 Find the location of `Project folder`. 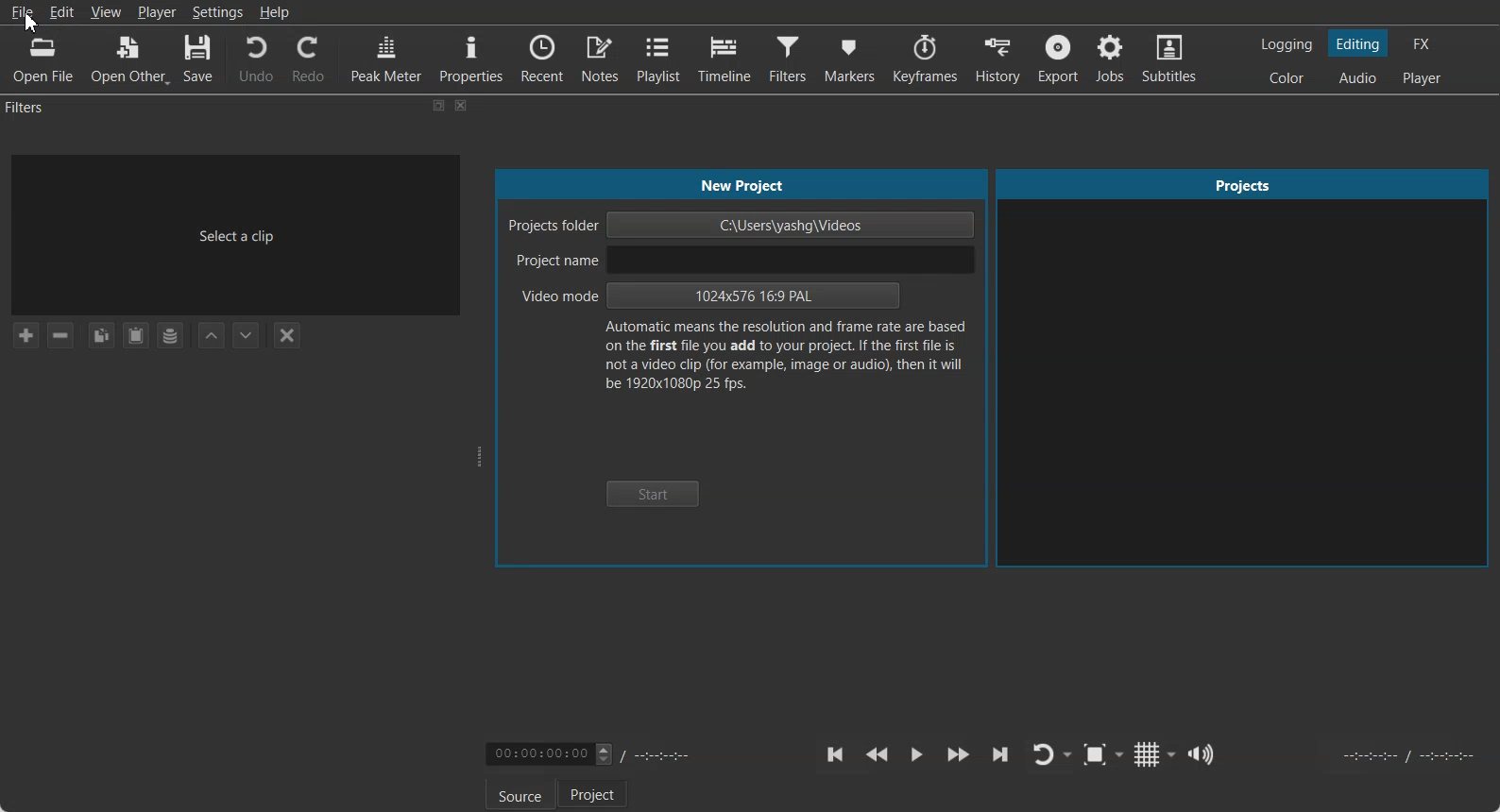

Project folder is located at coordinates (742, 225).